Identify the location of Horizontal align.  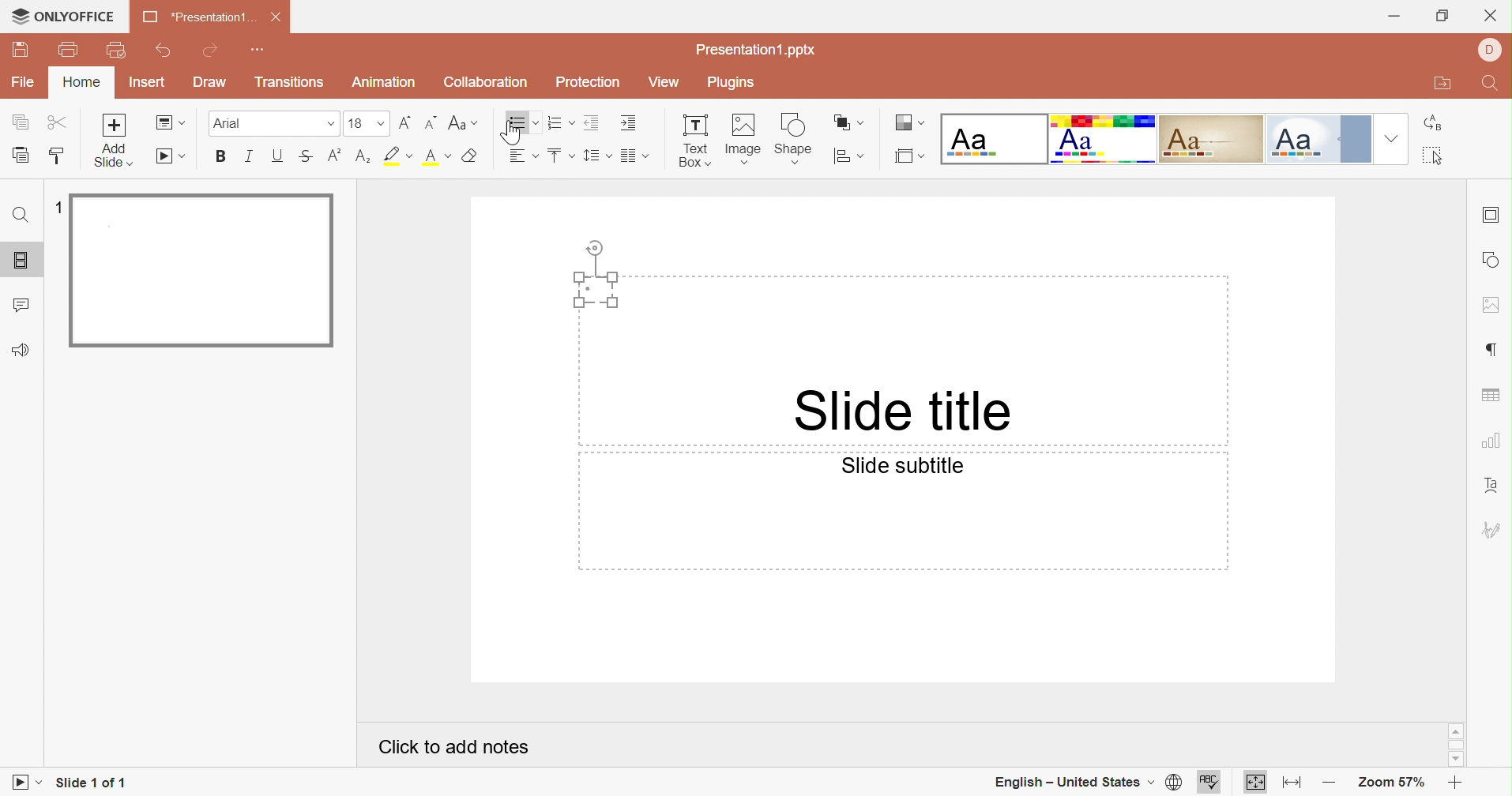
(521, 155).